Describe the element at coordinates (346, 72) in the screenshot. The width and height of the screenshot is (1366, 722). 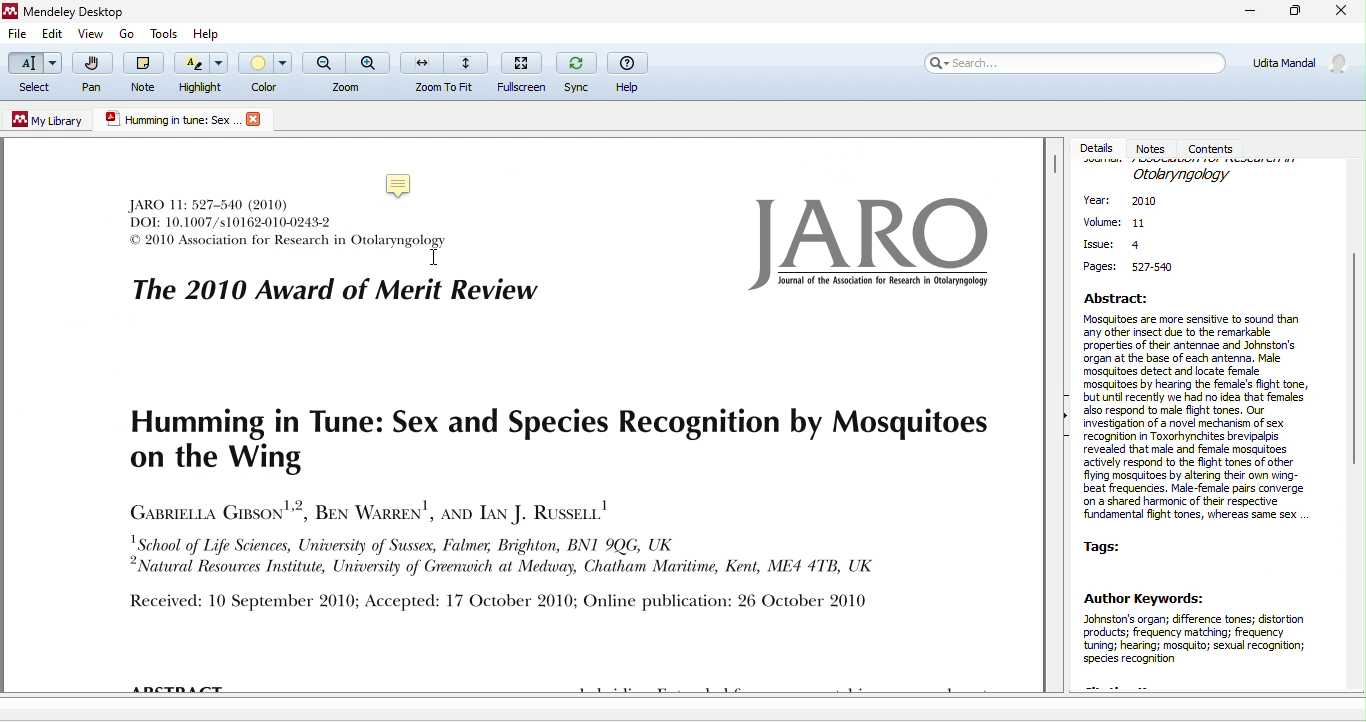
I see `zoom` at that location.